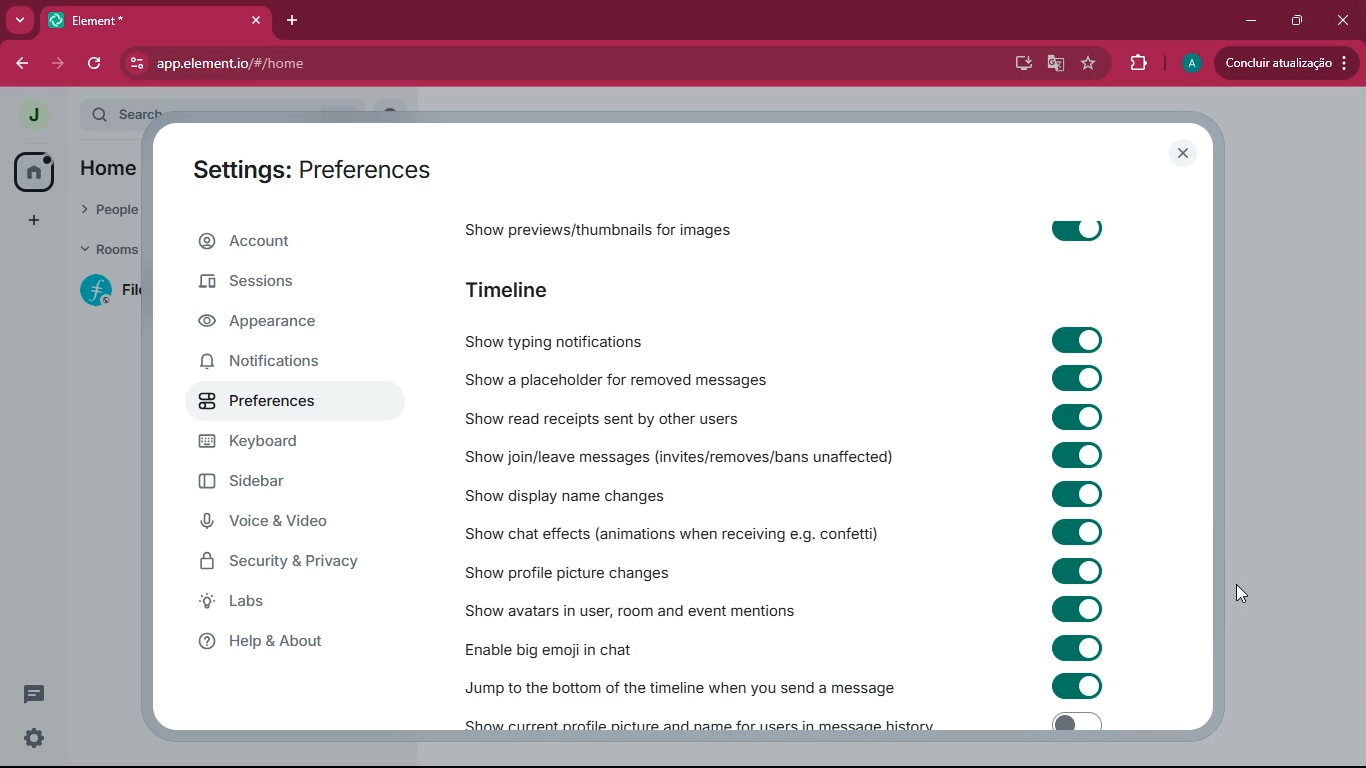 This screenshot has height=768, width=1366. Describe the element at coordinates (1081, 609) in the screenshot. I see `toggle on ` at that location.